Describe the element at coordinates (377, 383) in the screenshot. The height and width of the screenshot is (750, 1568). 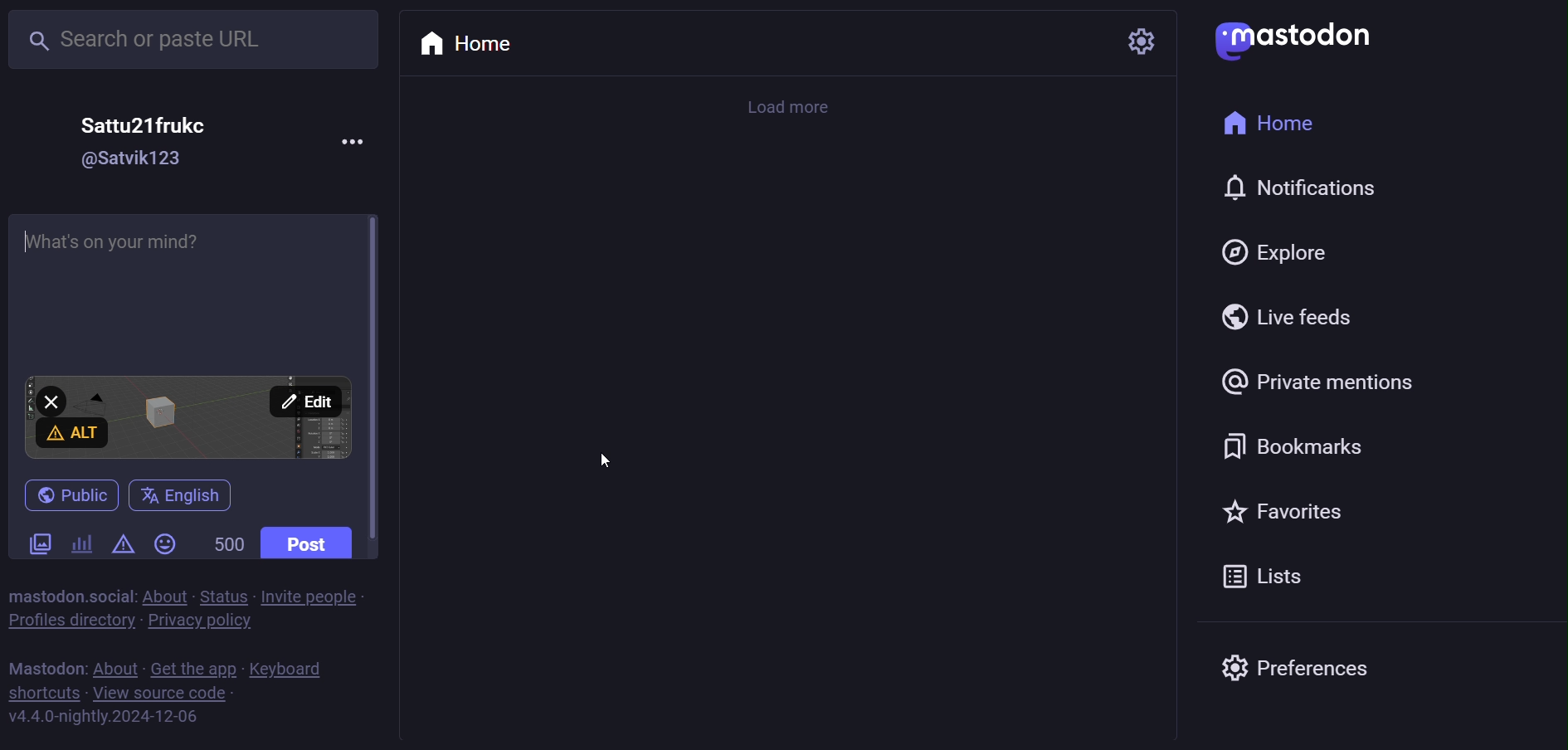
I see `scroll bar` at that location.